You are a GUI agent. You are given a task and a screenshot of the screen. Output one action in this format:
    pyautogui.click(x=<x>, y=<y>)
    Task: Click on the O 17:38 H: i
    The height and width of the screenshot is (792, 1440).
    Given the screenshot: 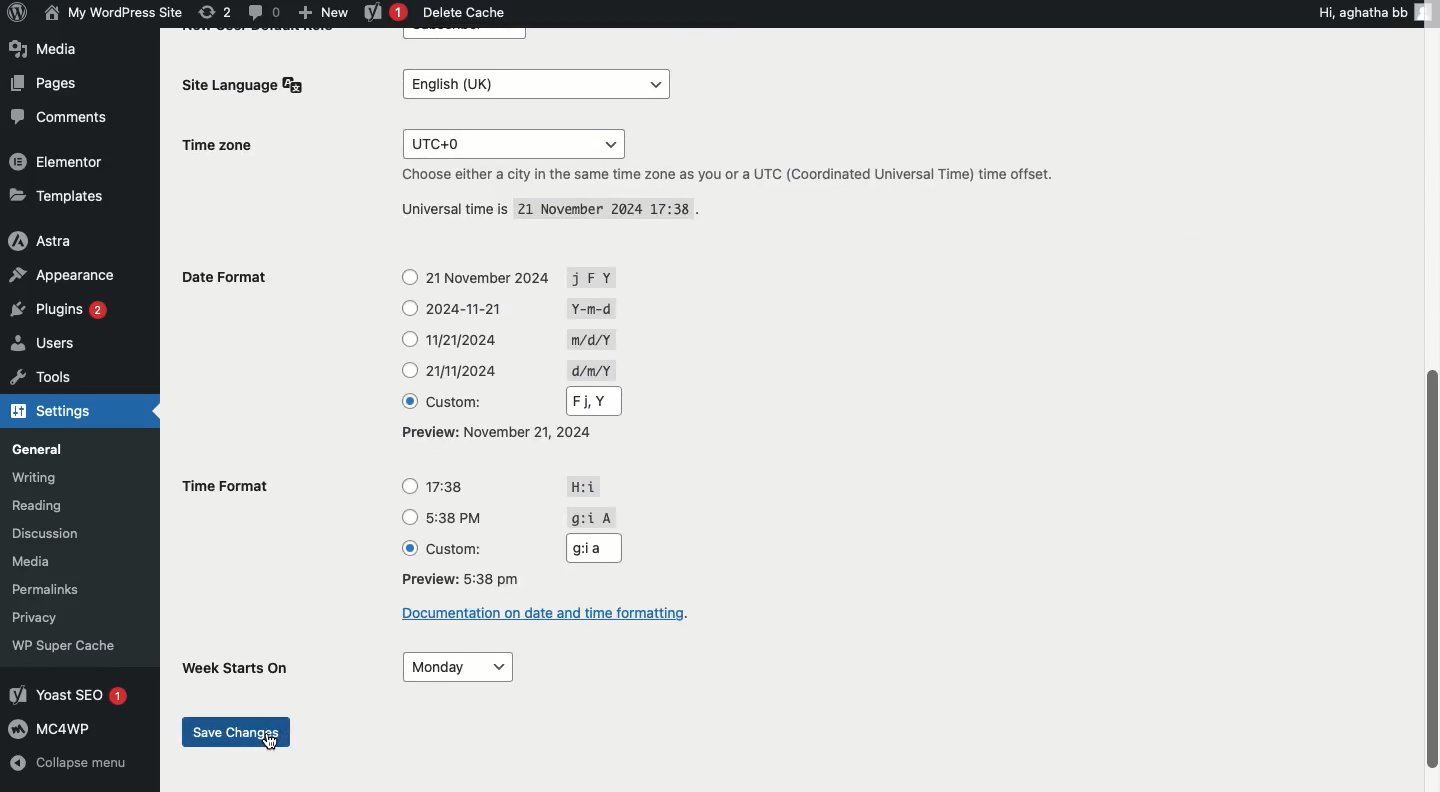 What is the action you would take?
    pyautogui.click(x=496, y=483)
    